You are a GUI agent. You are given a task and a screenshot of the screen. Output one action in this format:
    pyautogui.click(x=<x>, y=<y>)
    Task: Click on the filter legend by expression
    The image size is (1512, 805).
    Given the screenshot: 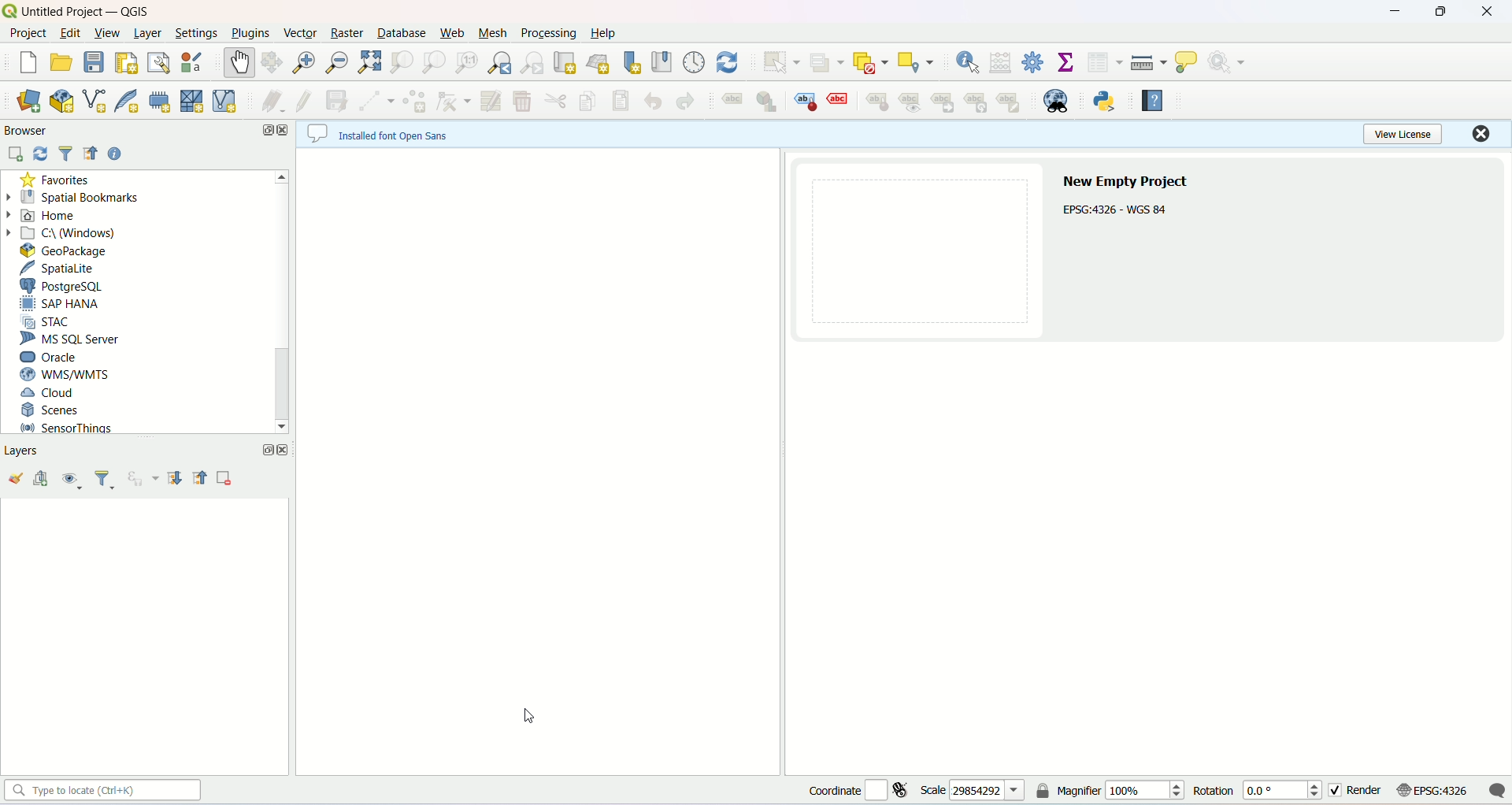 What is the action you would take?
    pyautogui.click(x=145, y=480)
    